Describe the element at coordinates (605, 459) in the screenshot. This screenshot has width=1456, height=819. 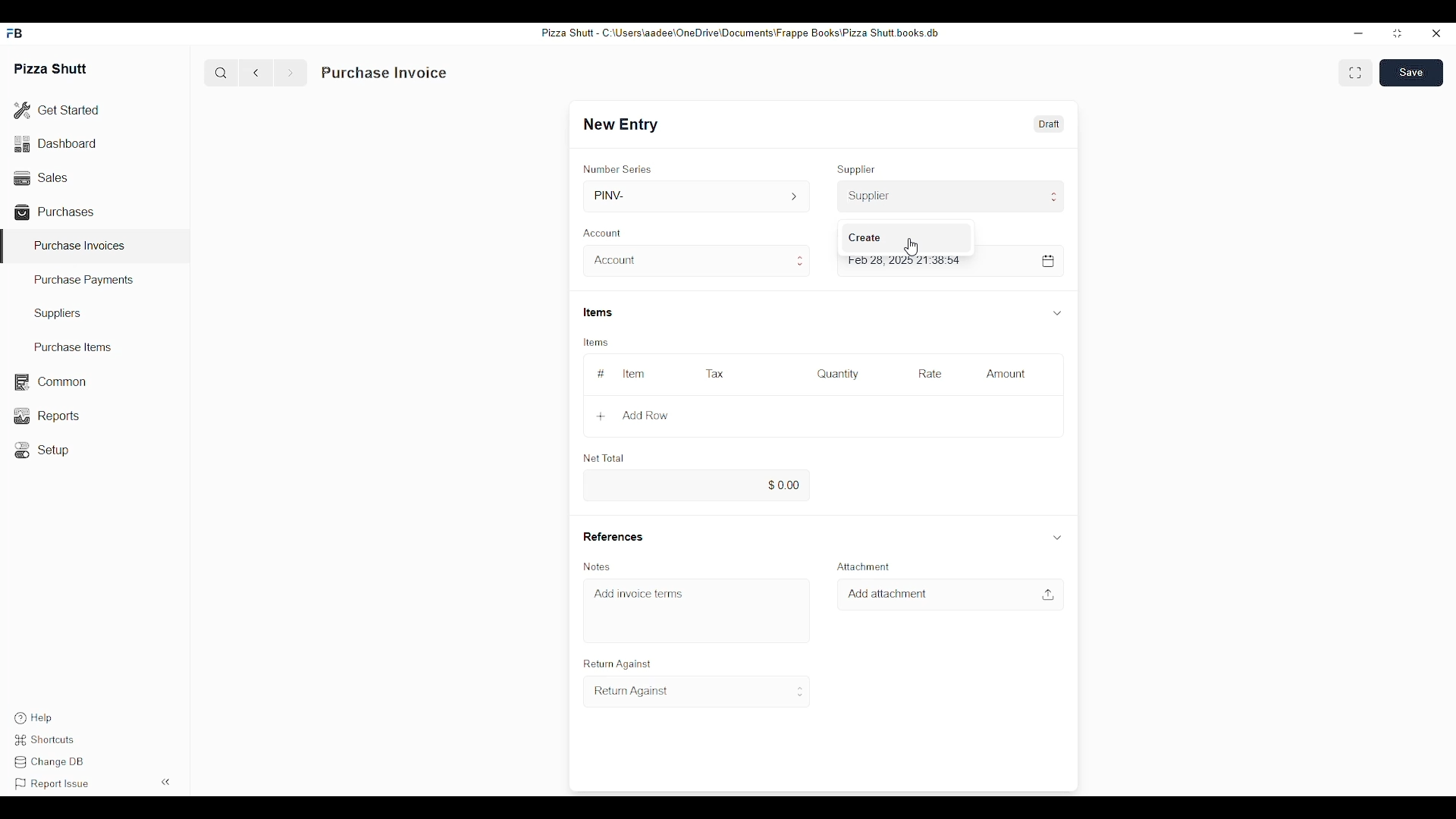
I see `Net Total` at that location.